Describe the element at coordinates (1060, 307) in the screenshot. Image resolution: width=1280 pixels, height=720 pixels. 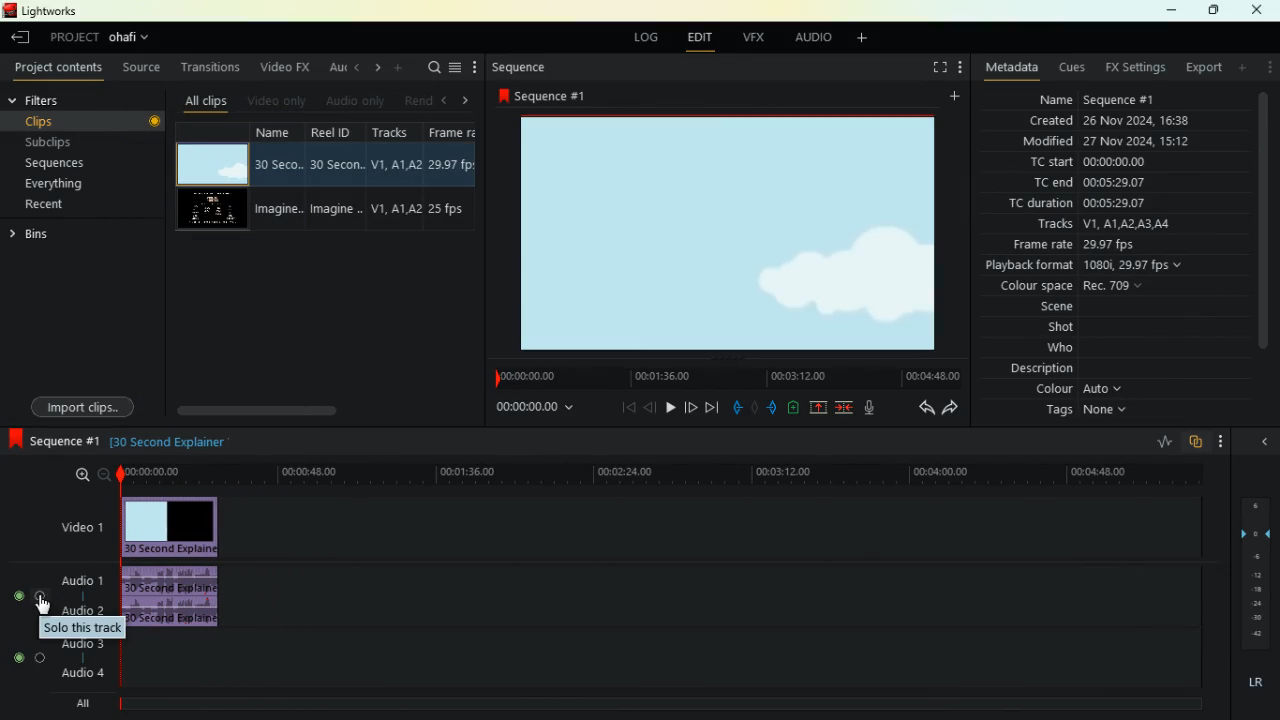
I see `scene` at that location.